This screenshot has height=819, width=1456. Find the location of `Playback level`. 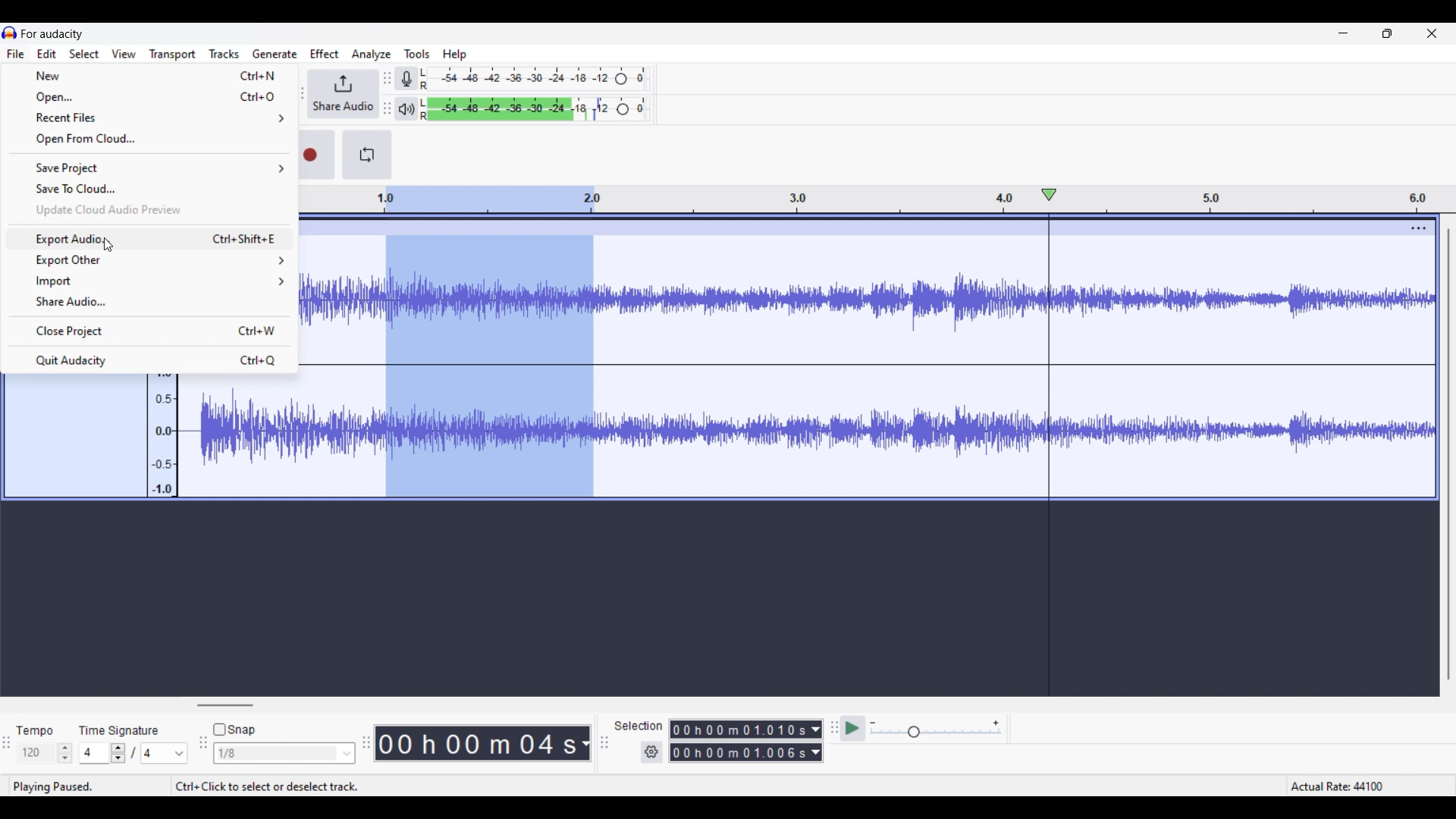

Playback level is located at coordinates (535, 108).